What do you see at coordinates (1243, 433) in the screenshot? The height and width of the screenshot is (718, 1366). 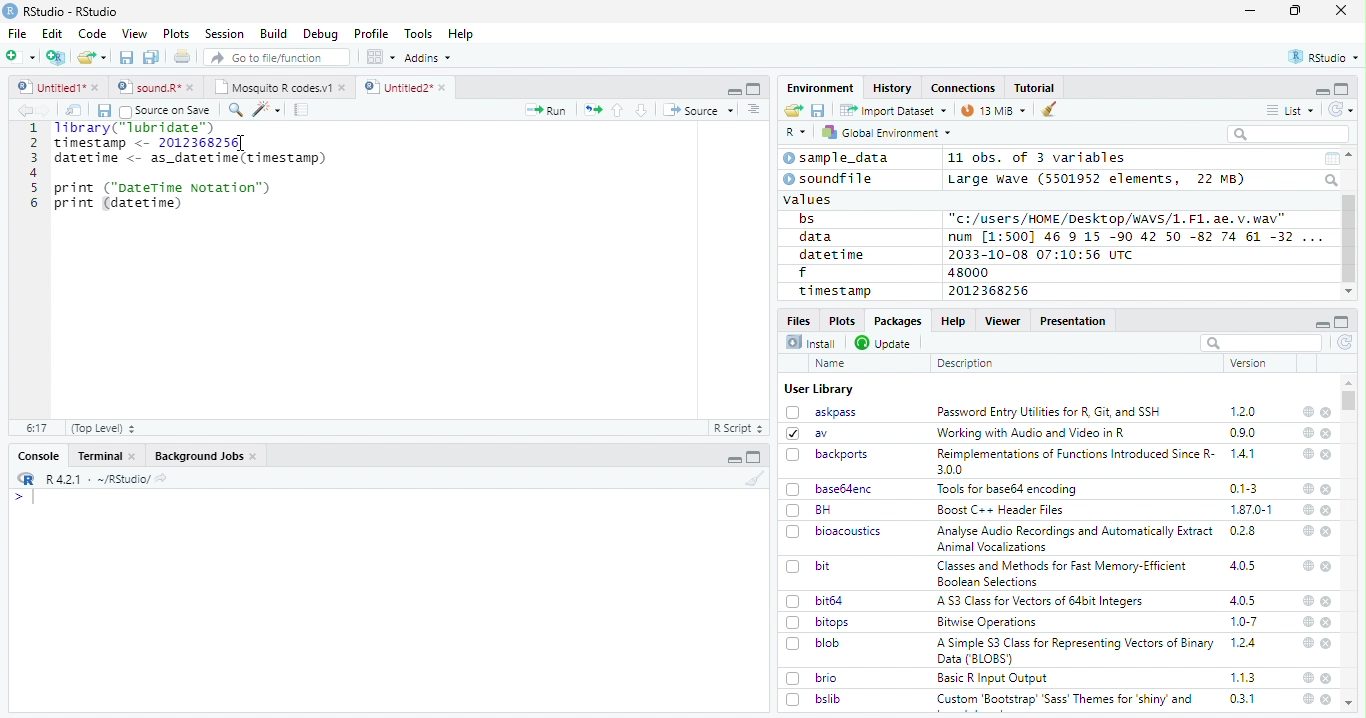 I see `0.9.0` at bounding box center [1243, 433].